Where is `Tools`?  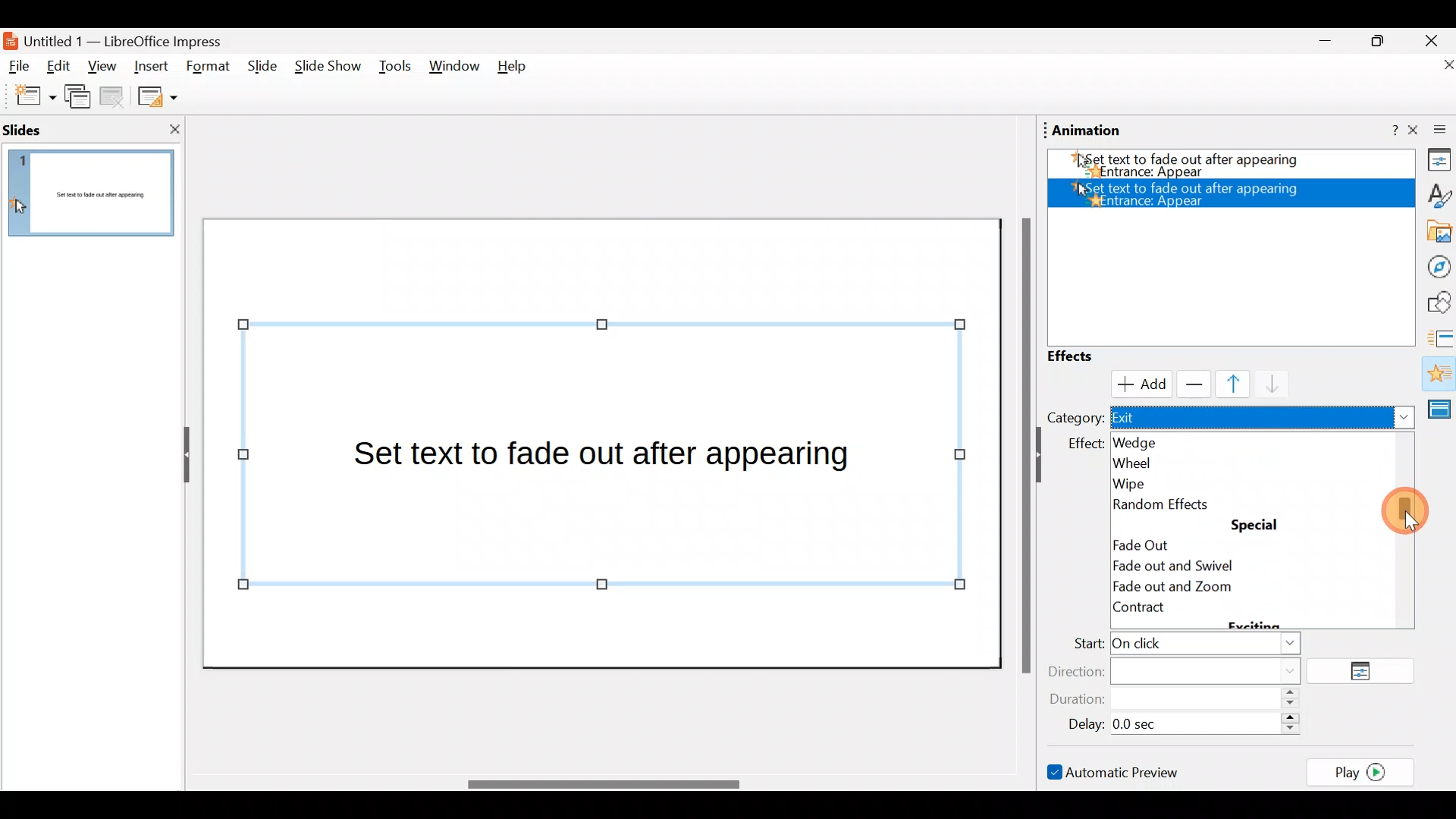 Tools is located at coordinates (395, 69).